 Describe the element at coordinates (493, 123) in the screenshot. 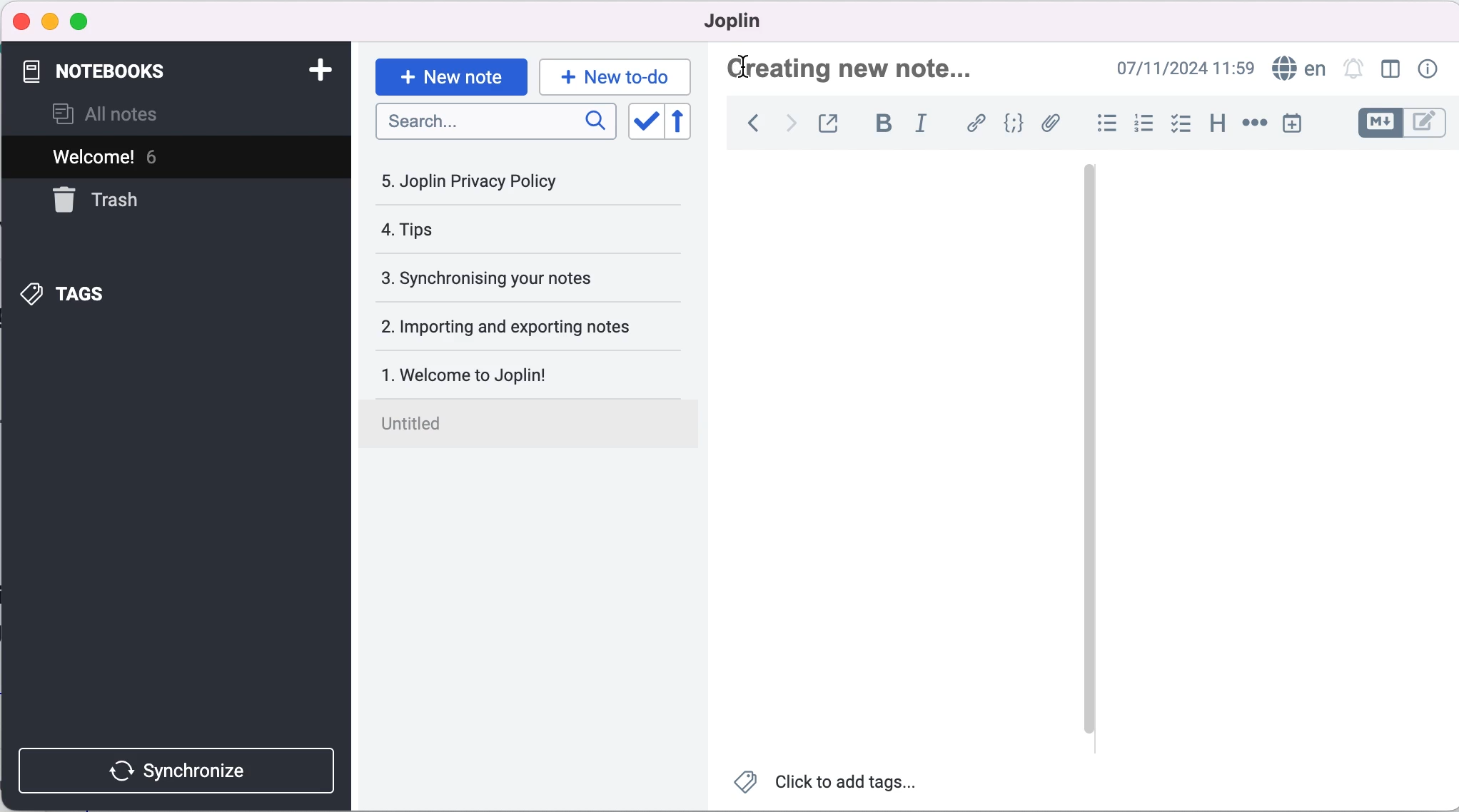

I see `search` at that location.